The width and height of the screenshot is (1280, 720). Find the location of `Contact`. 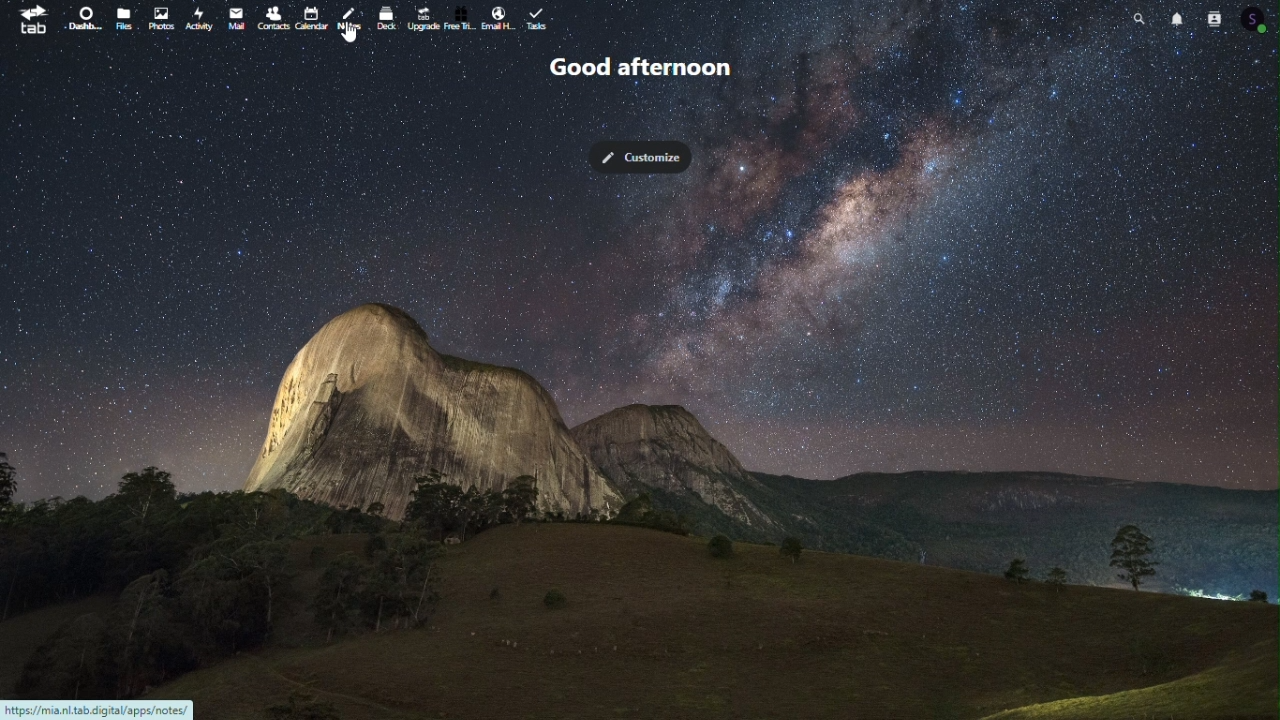

Contact is located at coordinates (1214, 15).